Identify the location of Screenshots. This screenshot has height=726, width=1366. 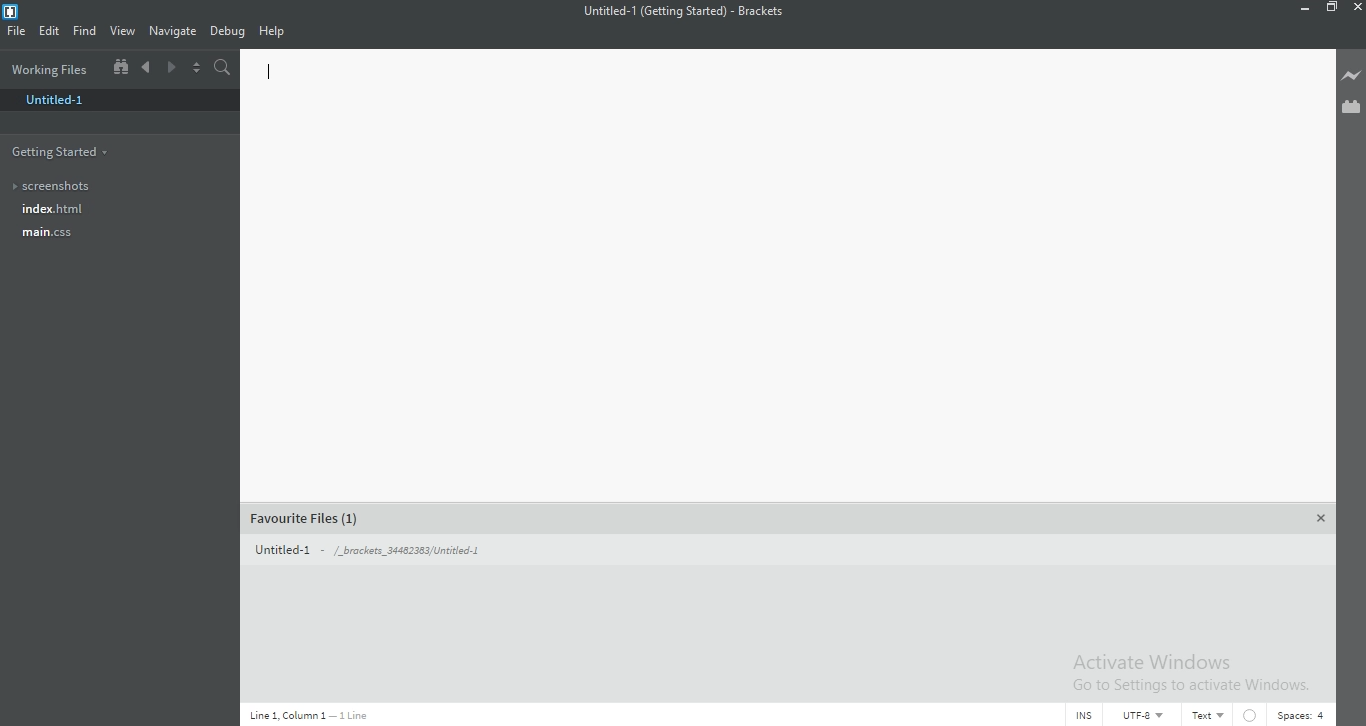
(57, 187).